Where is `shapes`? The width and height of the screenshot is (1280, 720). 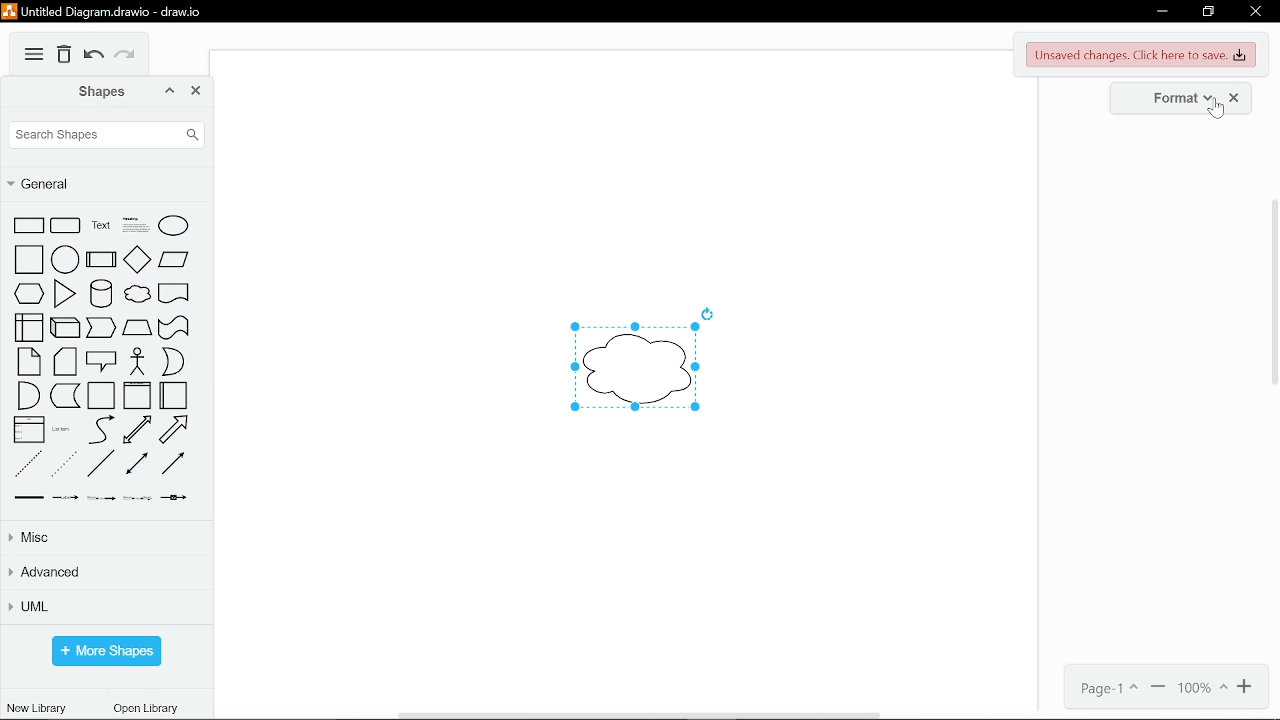 shapes is located at coordinates (82, 92).